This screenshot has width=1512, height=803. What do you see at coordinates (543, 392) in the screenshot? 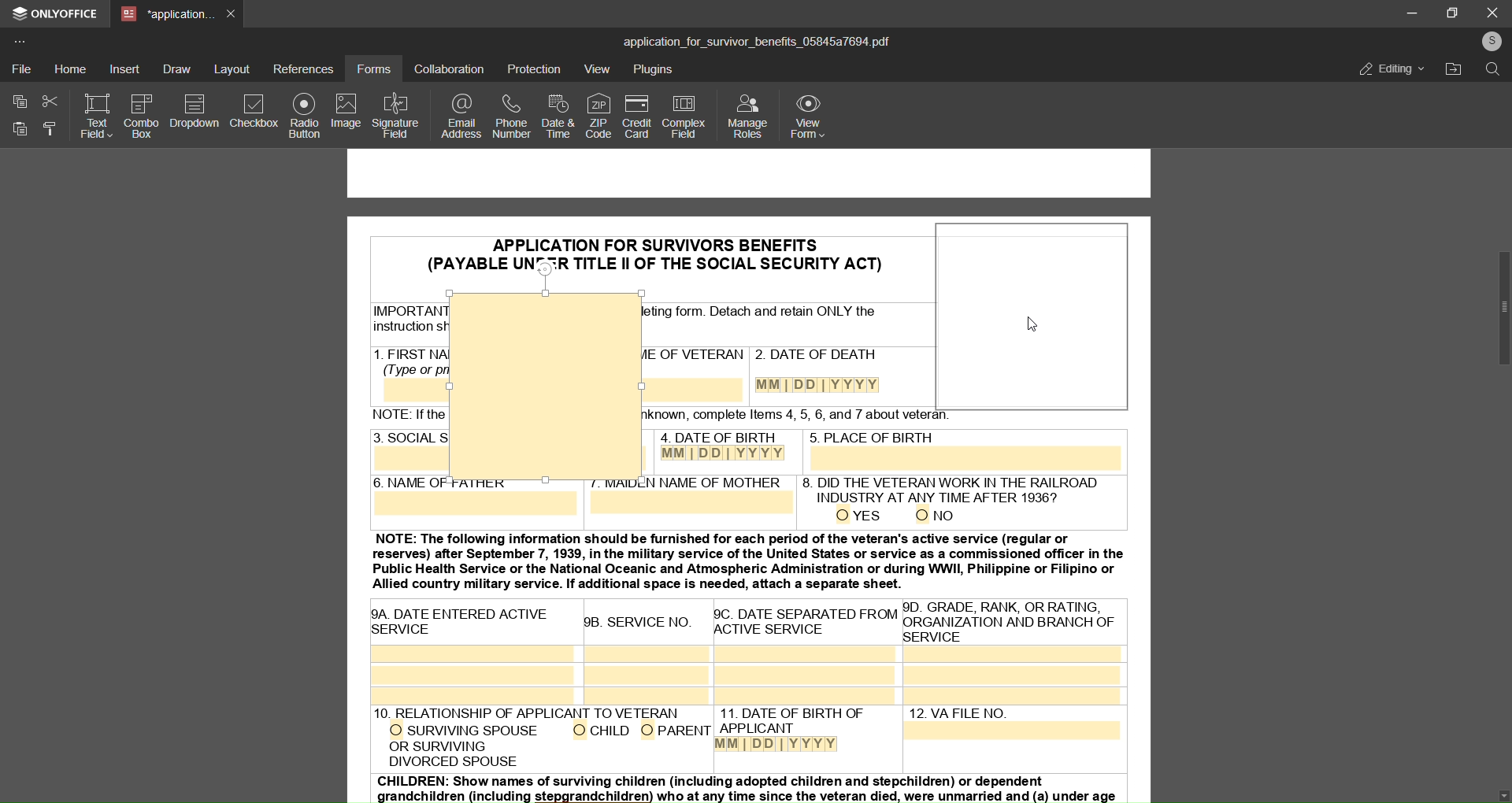
I see `insert image space` at bounding box center [543, 392].